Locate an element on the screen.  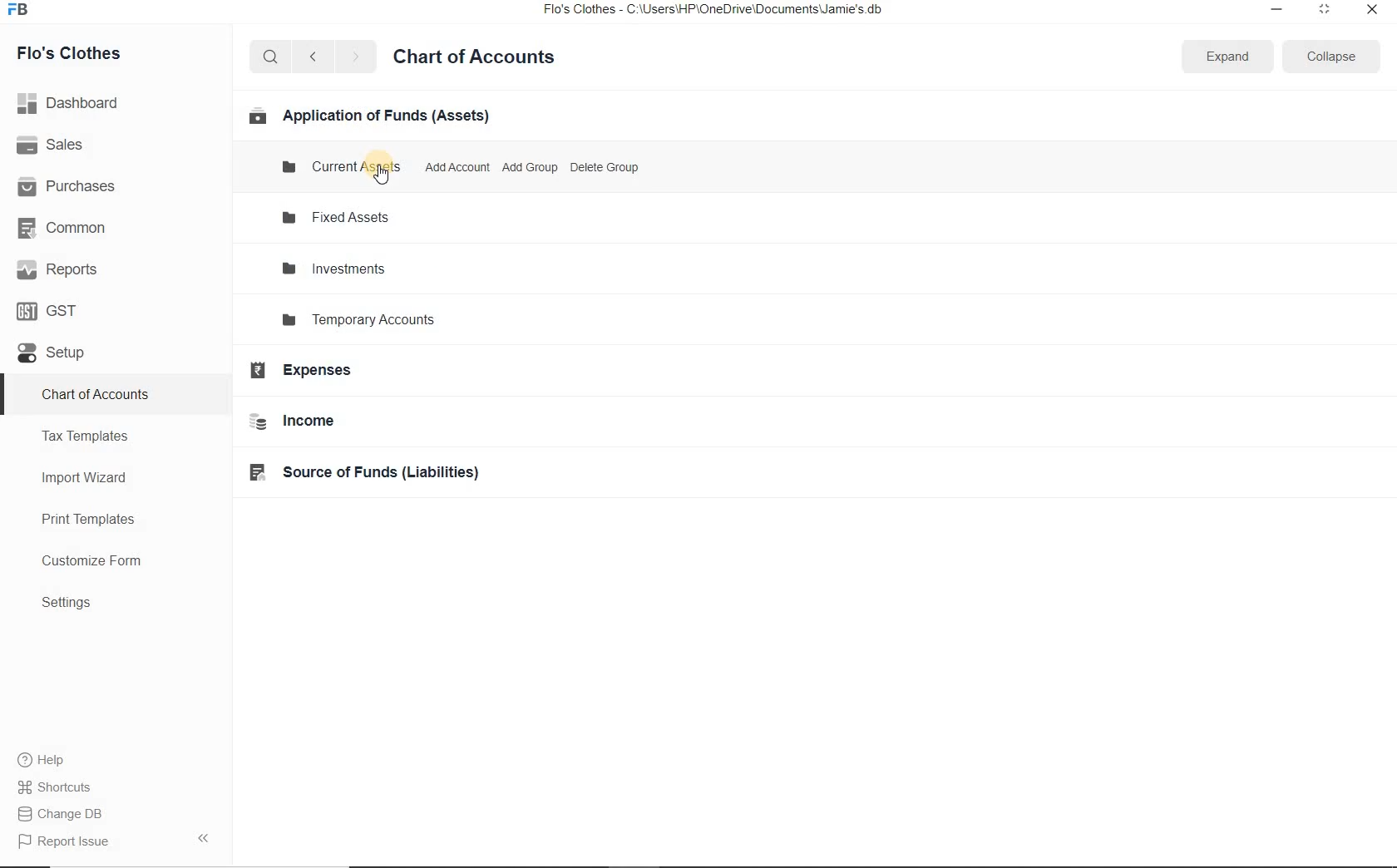
Delete Group is located at coordinates (603, 166).